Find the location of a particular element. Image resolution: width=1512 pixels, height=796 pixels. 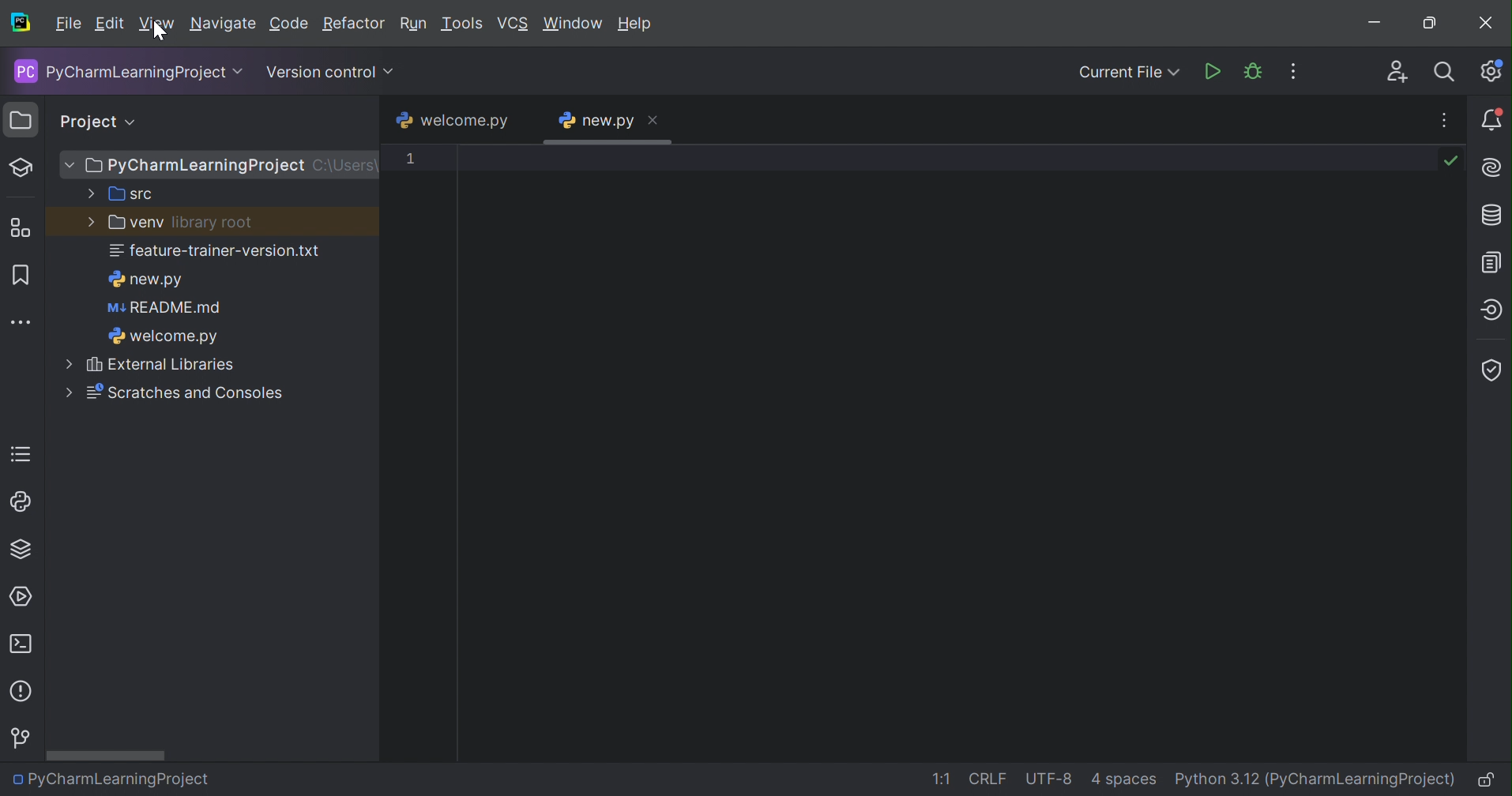

Current FIle is located at coordinates (1130, 73).